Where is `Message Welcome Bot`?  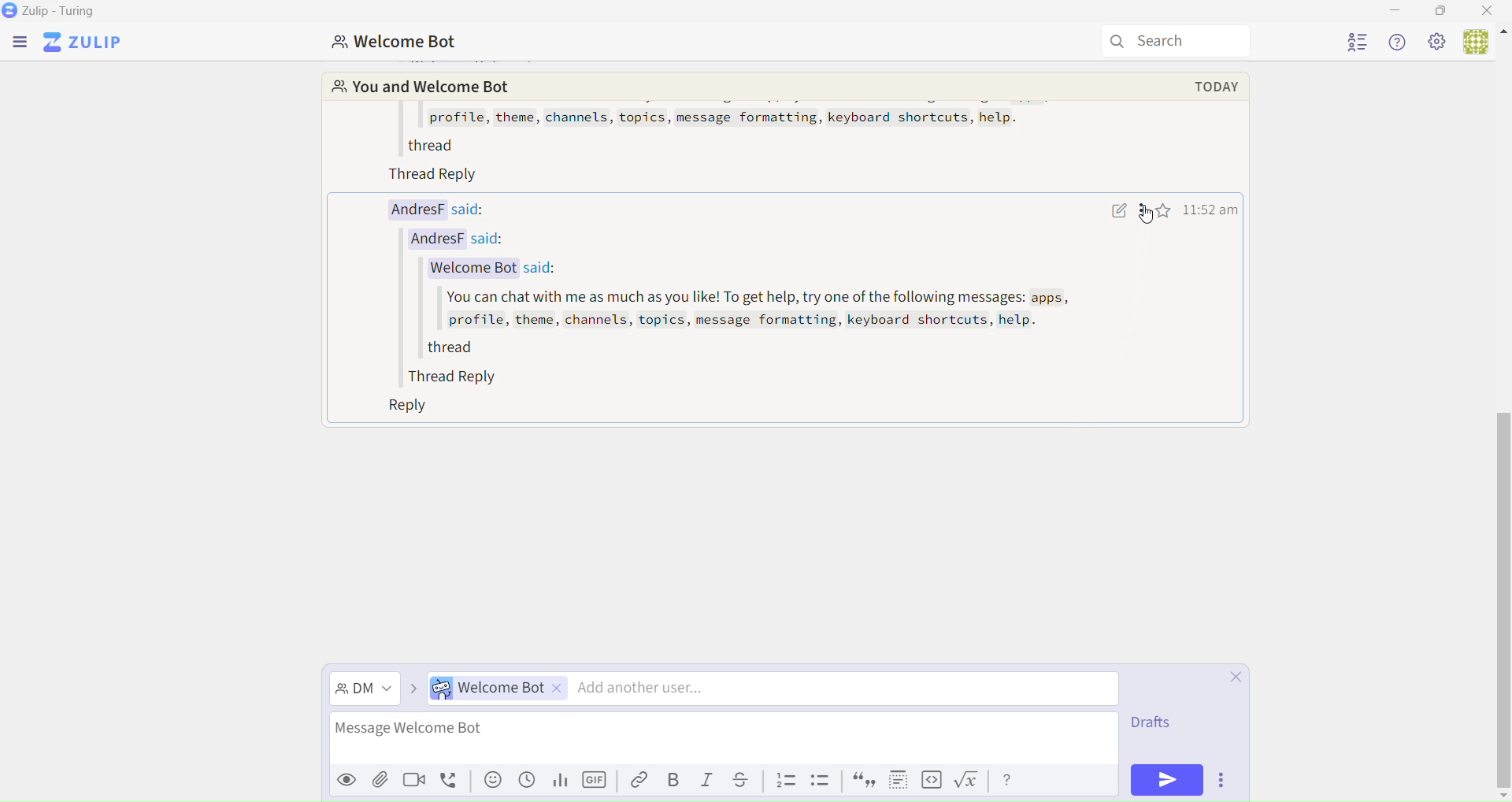 Message Welcome Bot is located at coordinates (713, 737).